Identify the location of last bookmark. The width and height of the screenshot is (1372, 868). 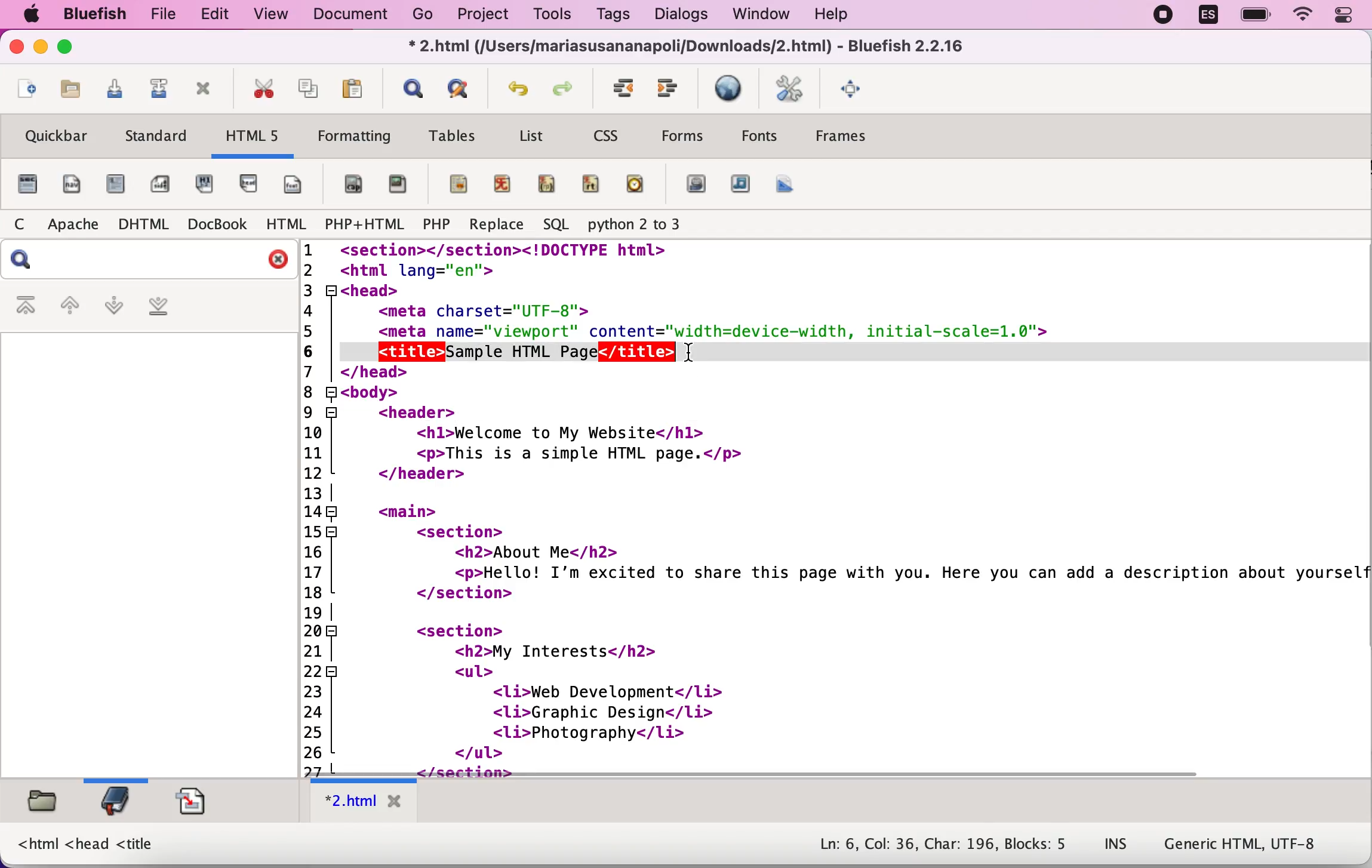
(173, 307).